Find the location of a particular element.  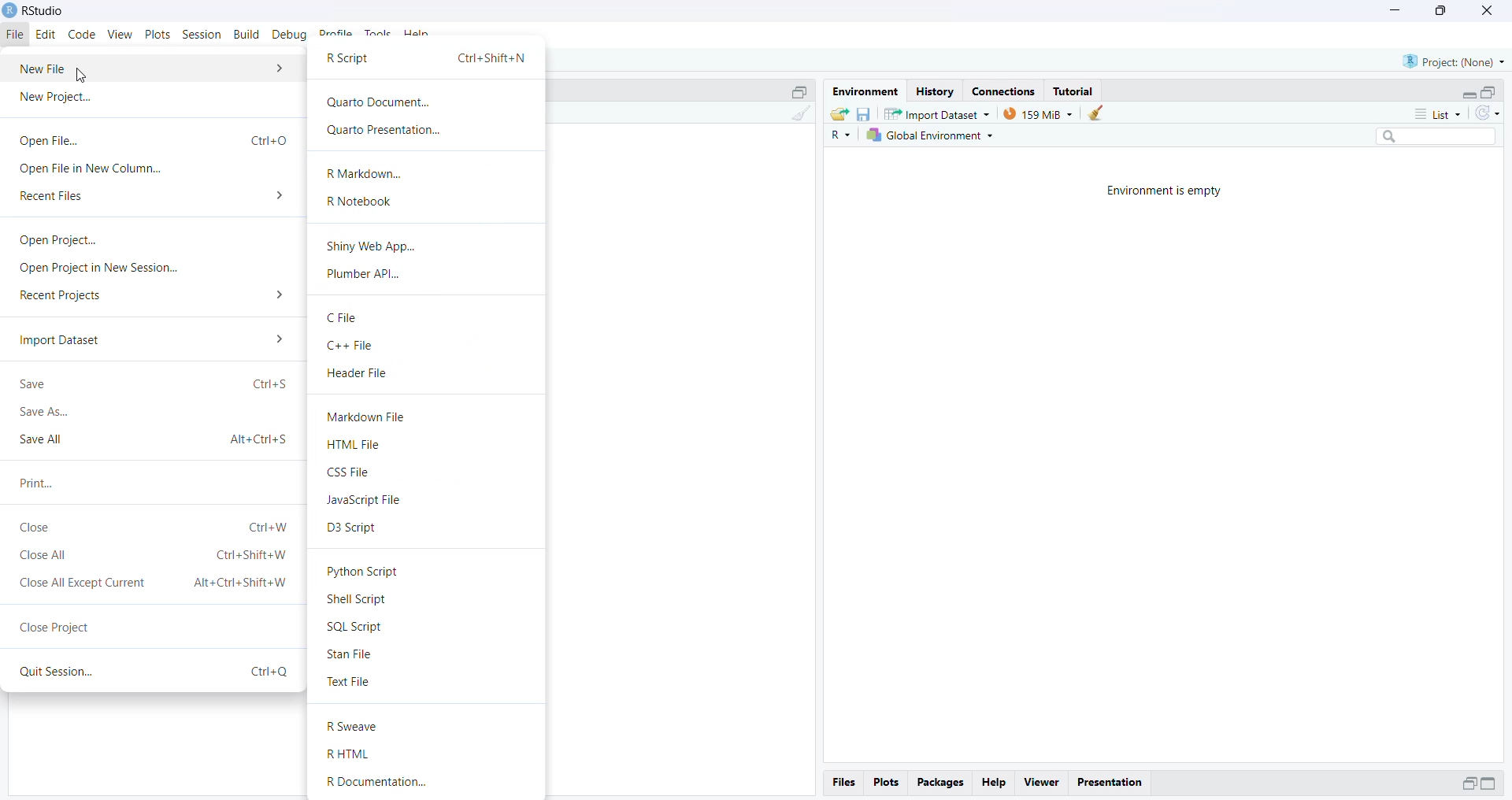

files is located at coordinates (843, 783).